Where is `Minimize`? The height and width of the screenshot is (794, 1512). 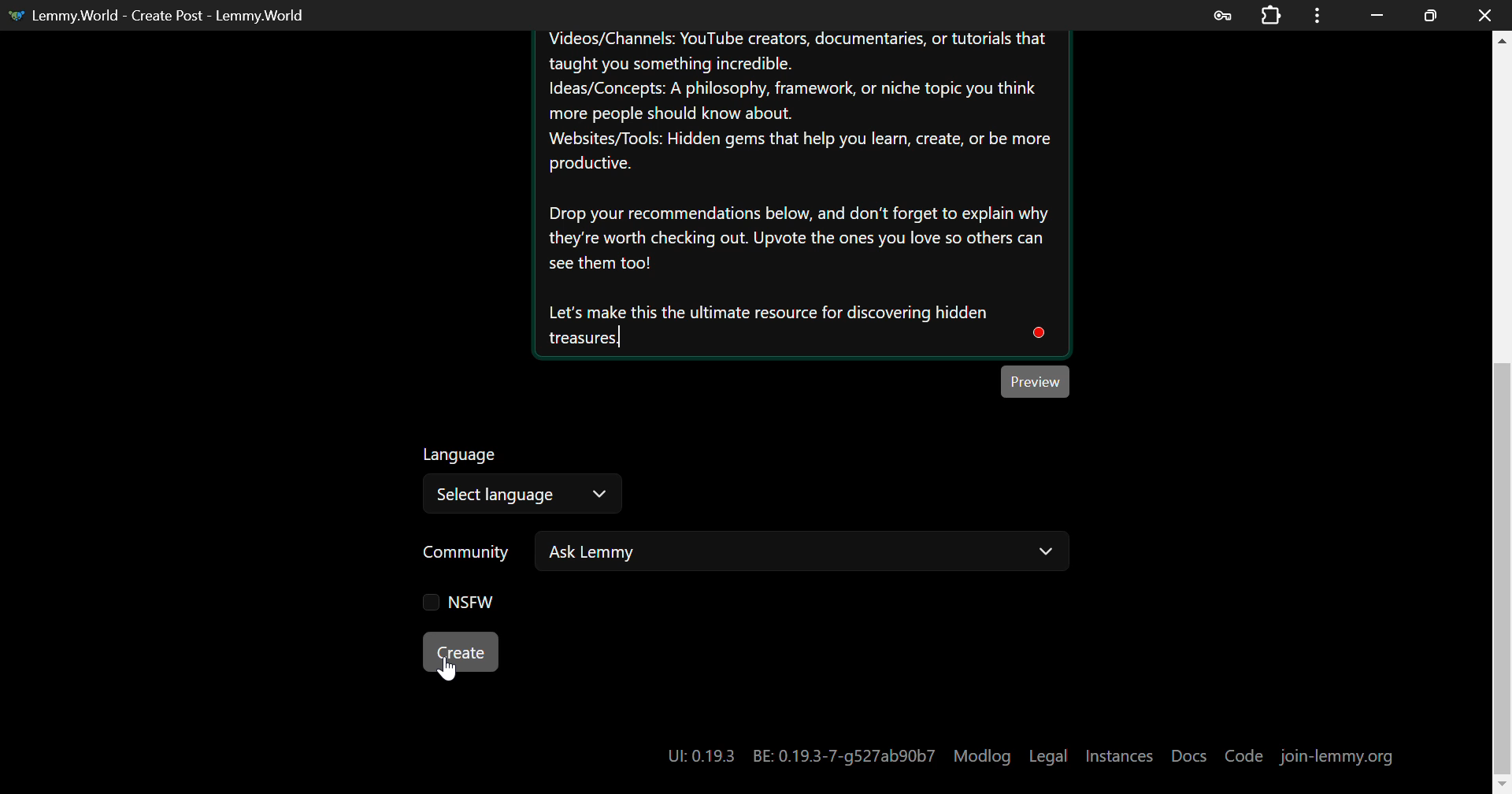
Minimize is located at coordinates (1431, 16).